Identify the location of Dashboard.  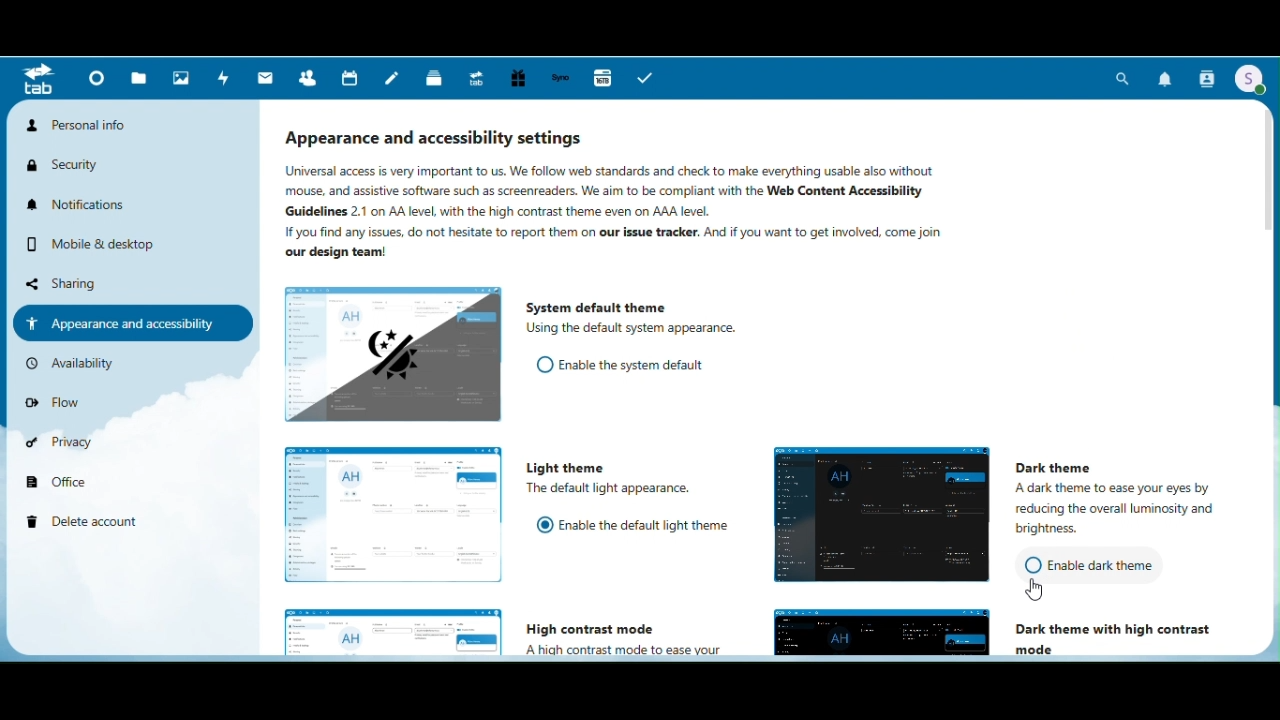
(93, 80).